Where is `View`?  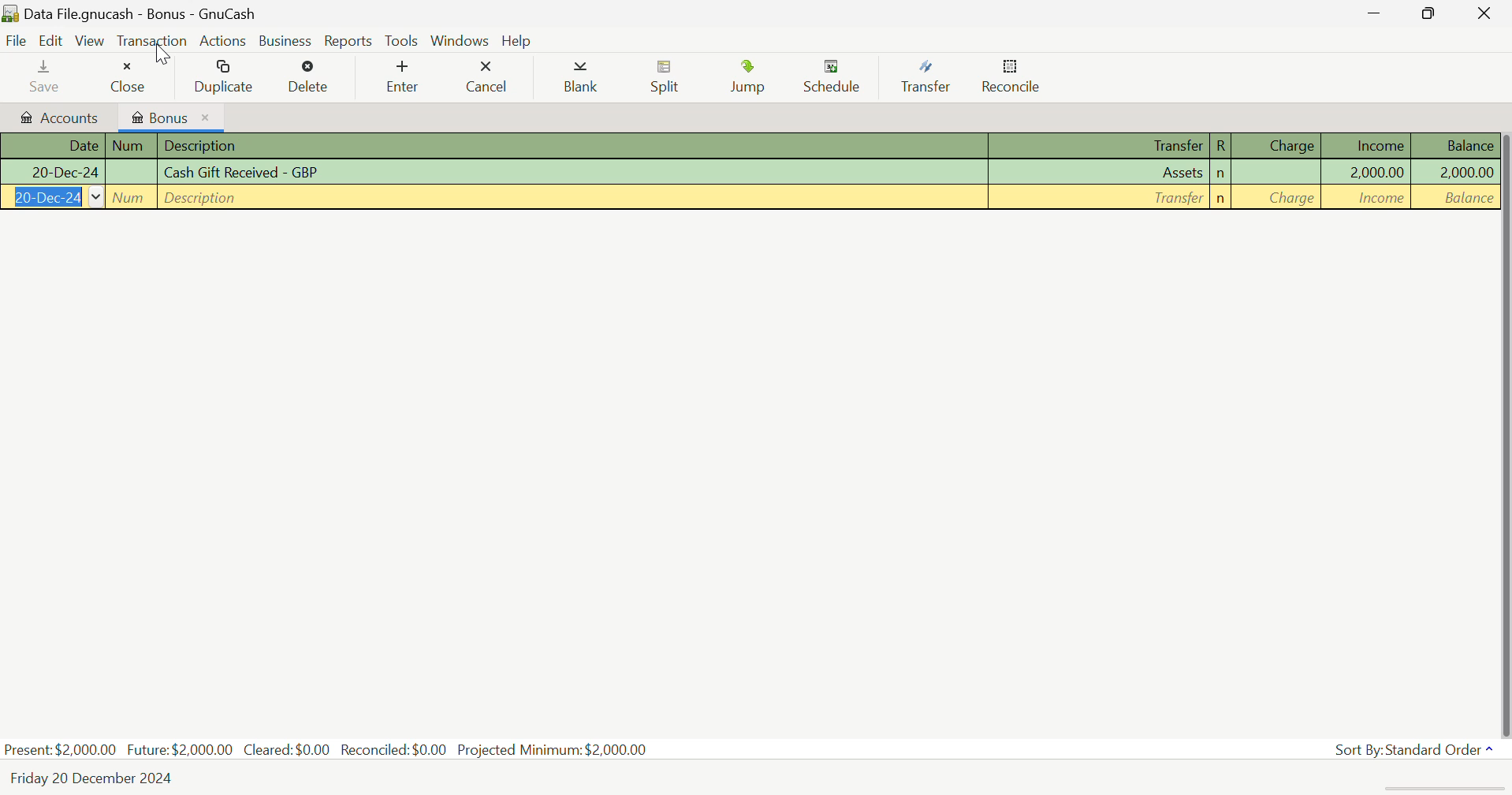
View is located at coordinates (91, 39).